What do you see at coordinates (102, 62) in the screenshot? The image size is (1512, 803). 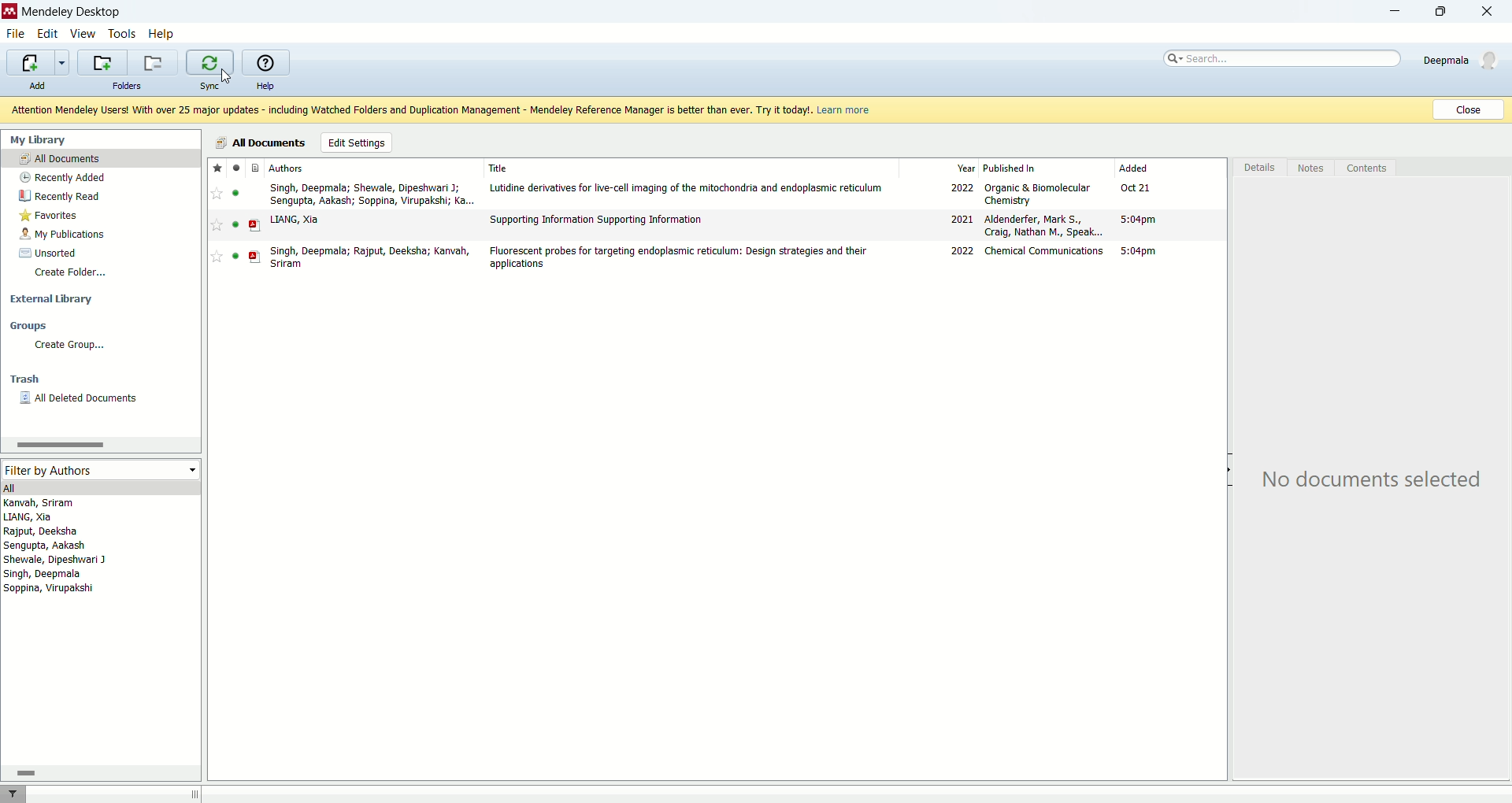 I see `create a new folder` at bounding box center [102, 62].